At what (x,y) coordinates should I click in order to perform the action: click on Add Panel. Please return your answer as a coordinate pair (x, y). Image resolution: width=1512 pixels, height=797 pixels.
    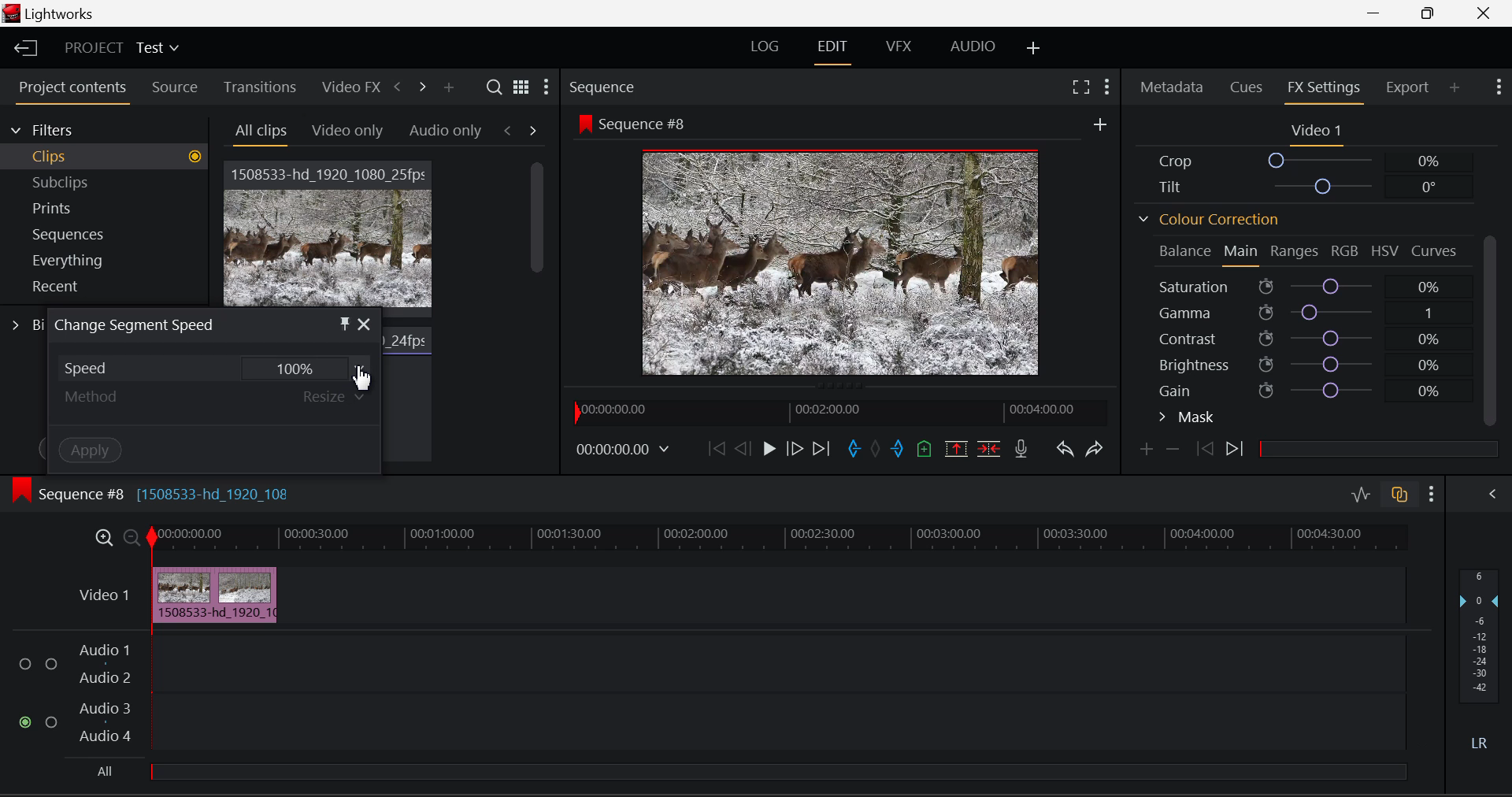
    Looking at the image, I should click on (1456, 89).